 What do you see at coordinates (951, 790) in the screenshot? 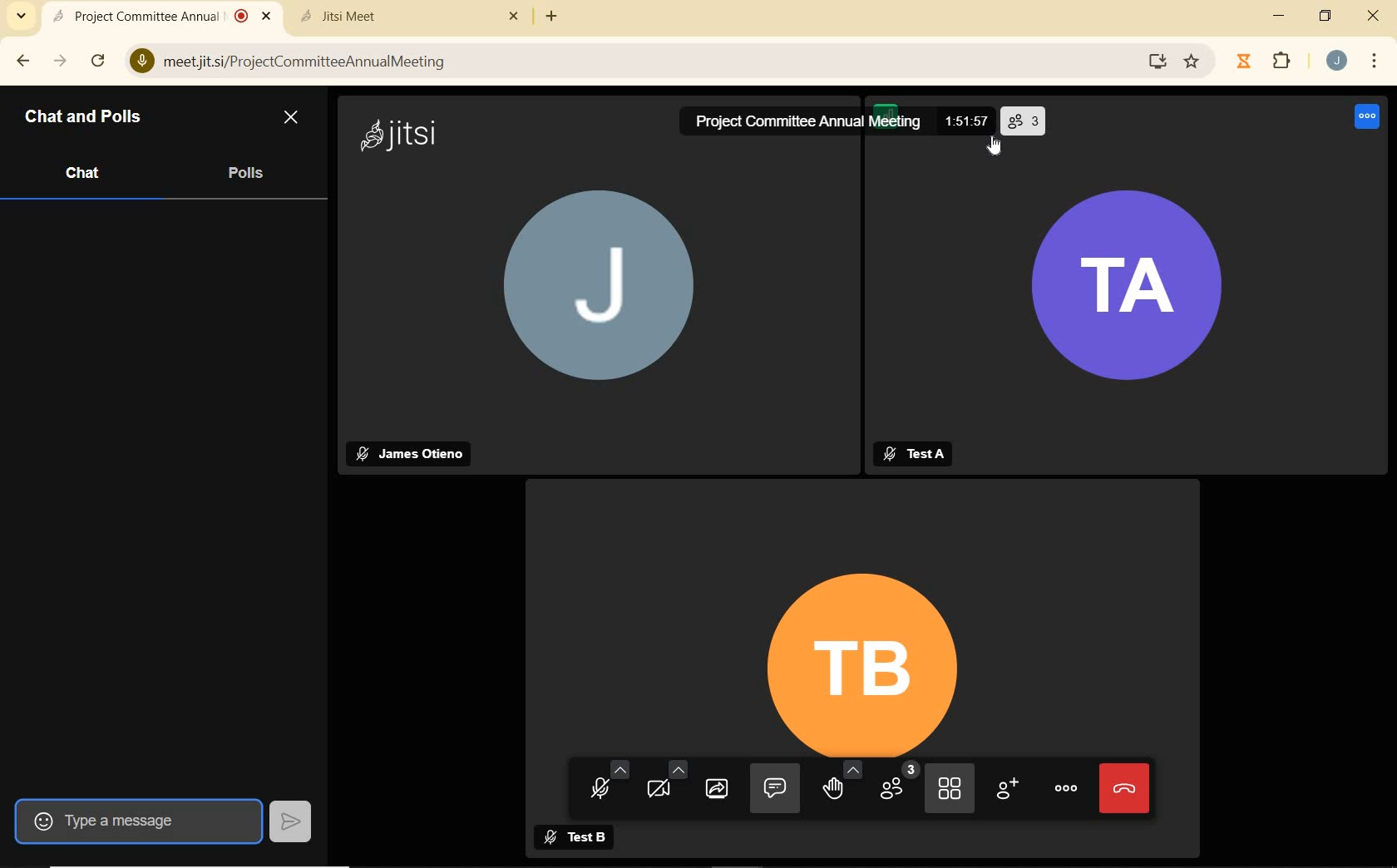
I see `toggle tile view` at bounding box center [951, 790].